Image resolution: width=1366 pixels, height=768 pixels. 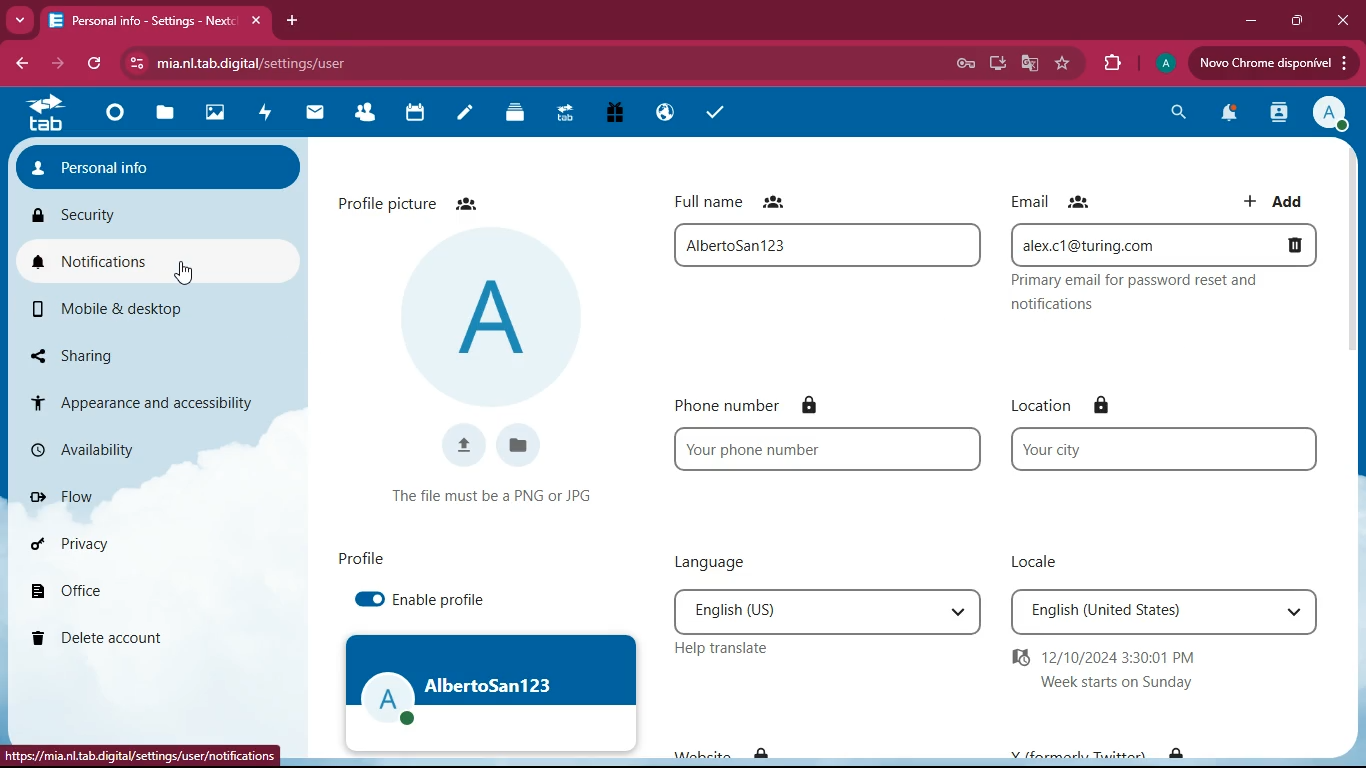 What do you see at coordinates (1064, 405) in the screenshot?
I see `location` at bounding box center [1064, 405].